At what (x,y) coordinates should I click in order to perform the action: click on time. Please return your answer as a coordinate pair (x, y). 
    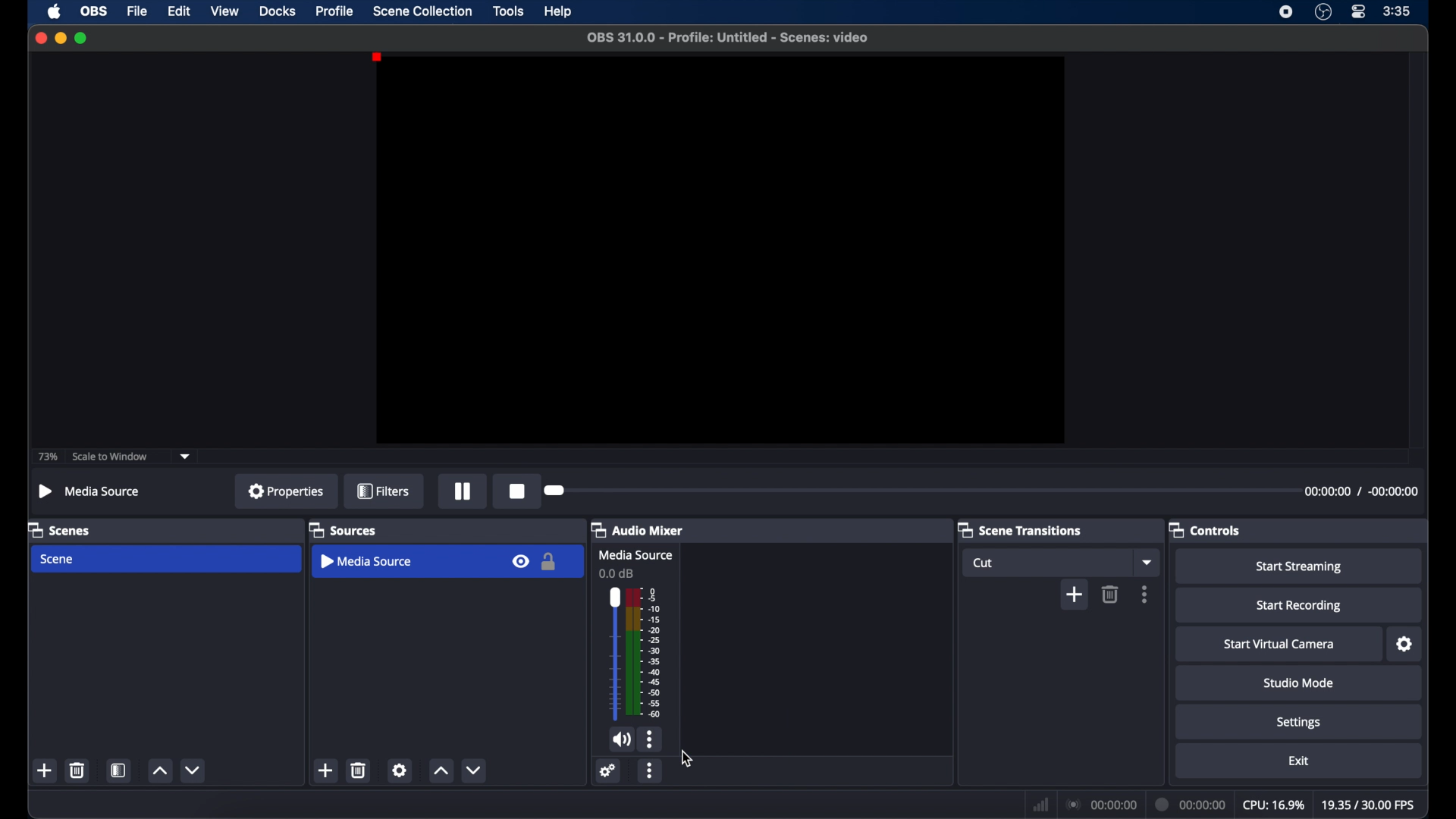
    Looking at the image, I should click on (1397, 11).